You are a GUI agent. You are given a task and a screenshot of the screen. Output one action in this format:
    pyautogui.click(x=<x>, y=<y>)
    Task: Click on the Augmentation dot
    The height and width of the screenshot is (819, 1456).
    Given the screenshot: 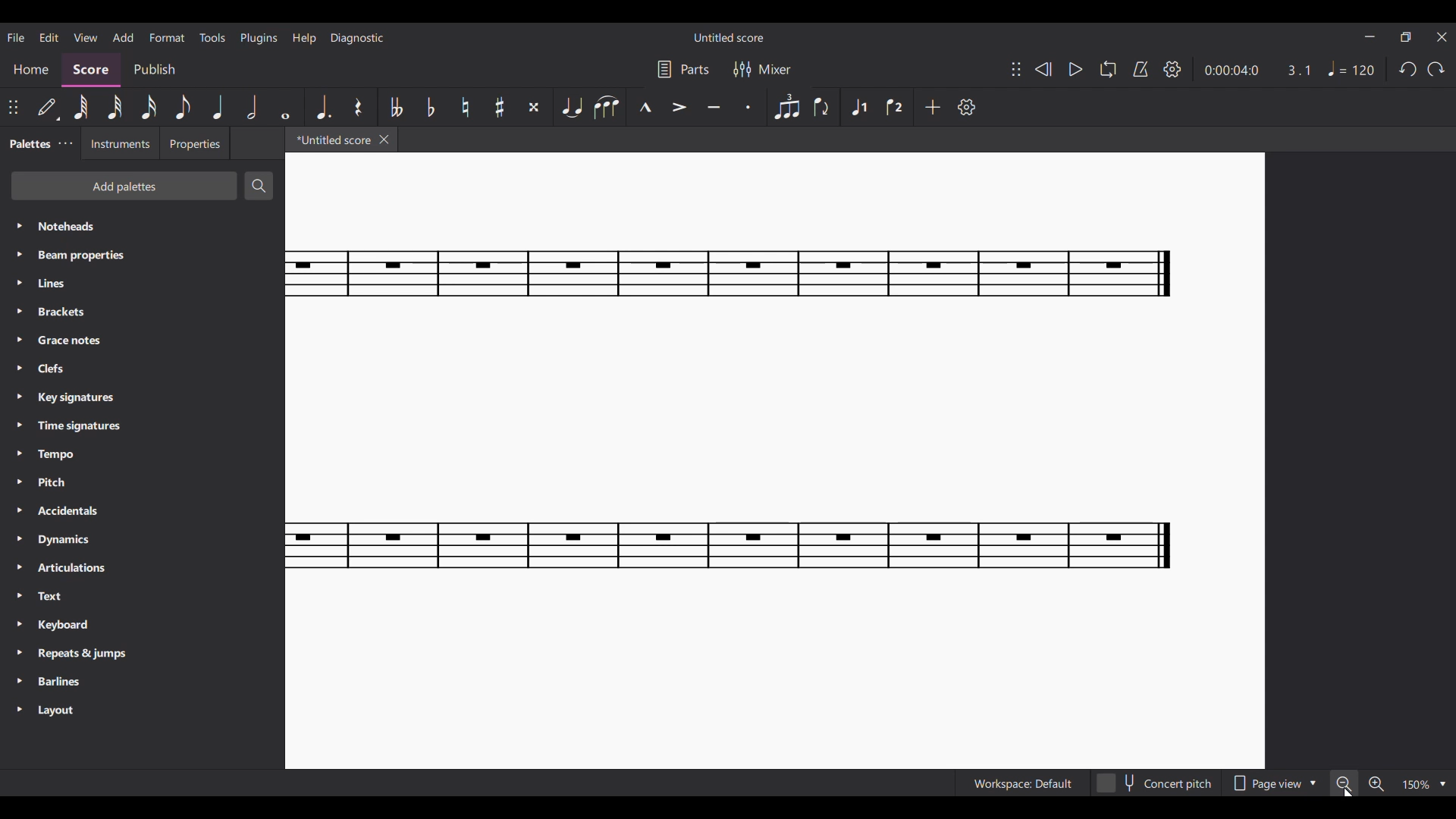 What is the action you would take?
    pyautogui.click(x=324, y=107)
    